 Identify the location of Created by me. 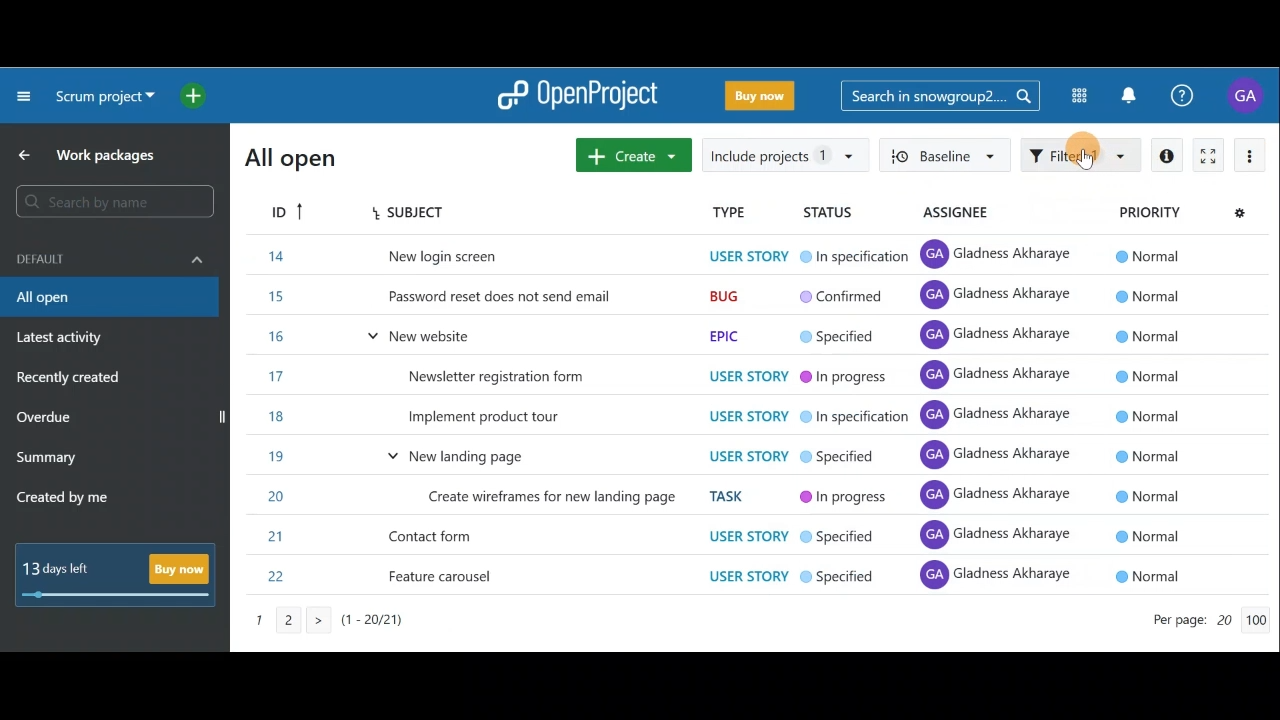
(74, 500).